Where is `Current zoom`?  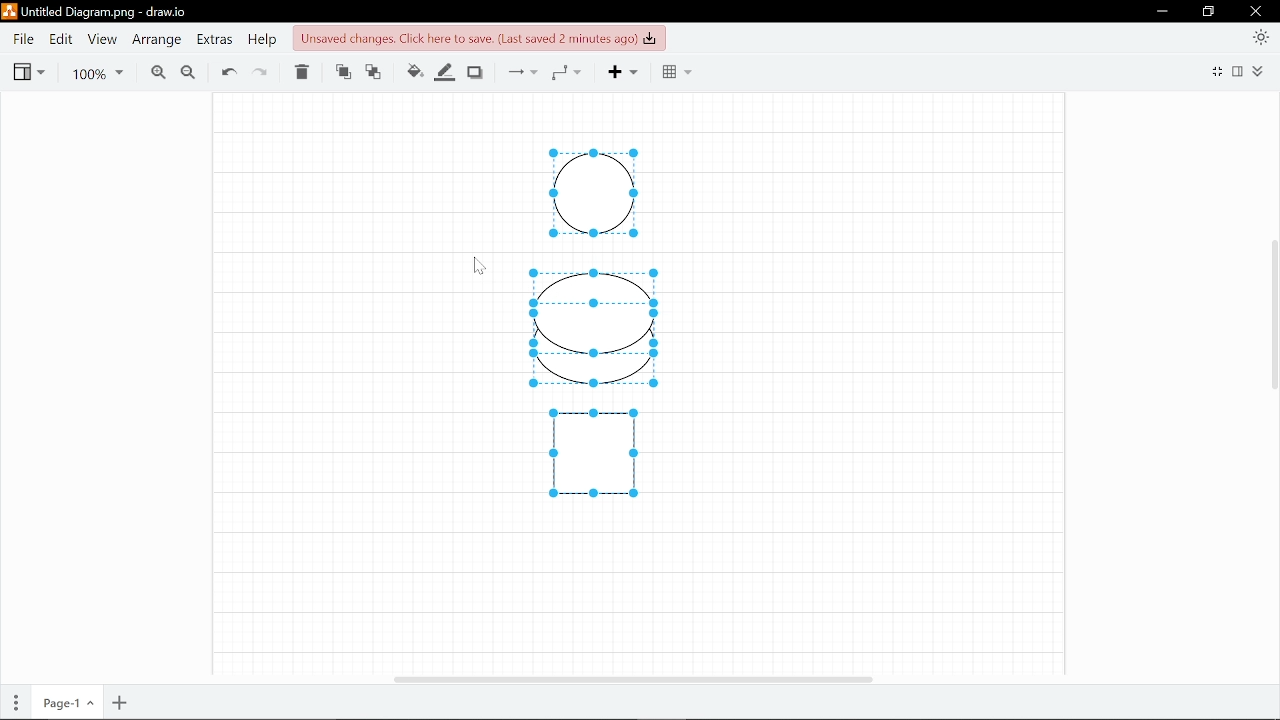 Current zoom is located at coordinates (97, 71).